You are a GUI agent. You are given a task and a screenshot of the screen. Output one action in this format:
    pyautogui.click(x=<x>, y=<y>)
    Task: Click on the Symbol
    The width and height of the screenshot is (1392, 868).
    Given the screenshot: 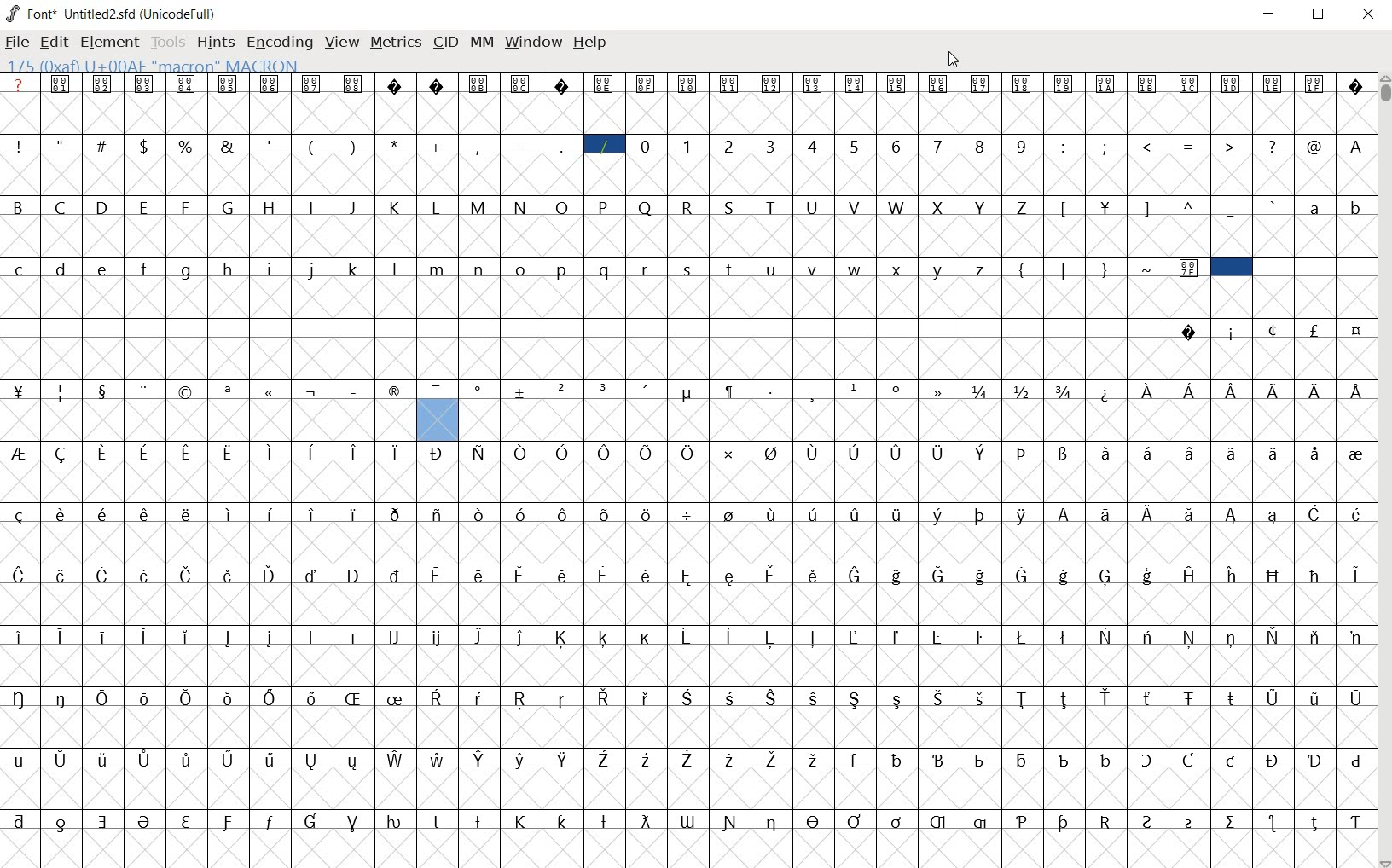 What is the action you would take?
    pyautogui.click(x=397, y=575)
    